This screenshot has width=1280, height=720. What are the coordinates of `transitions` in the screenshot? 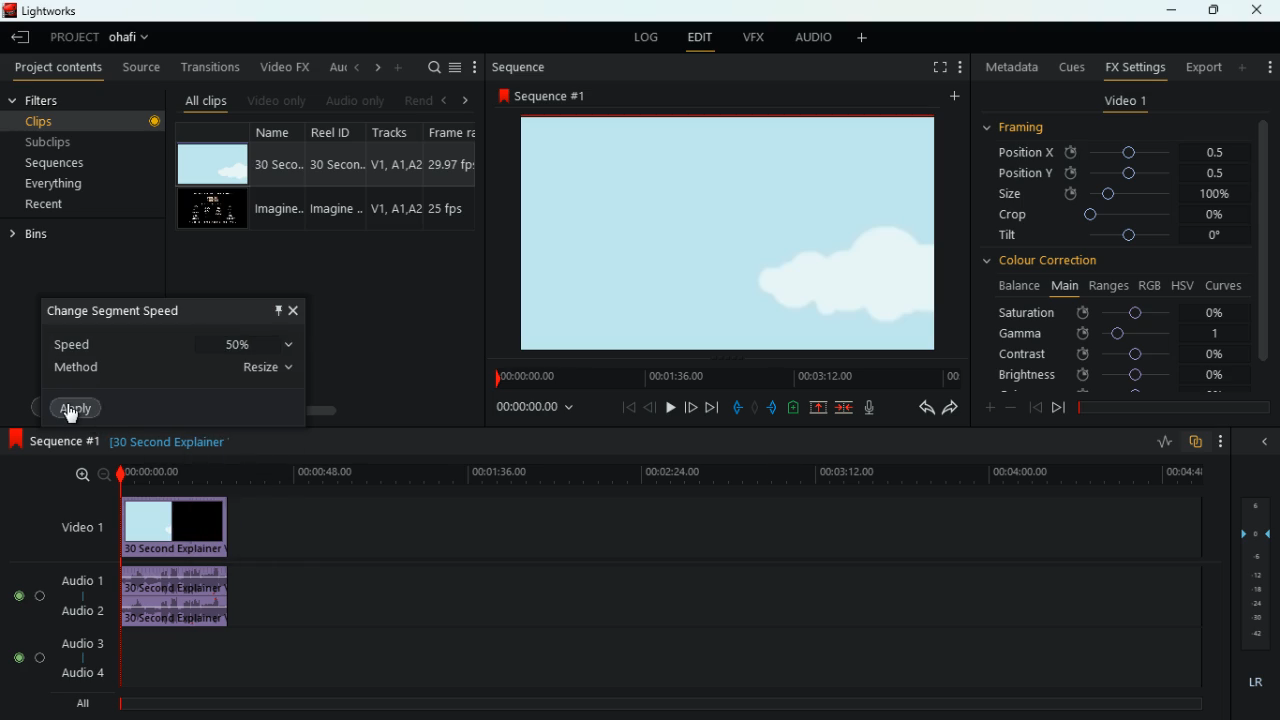 It's located at (206, 67).